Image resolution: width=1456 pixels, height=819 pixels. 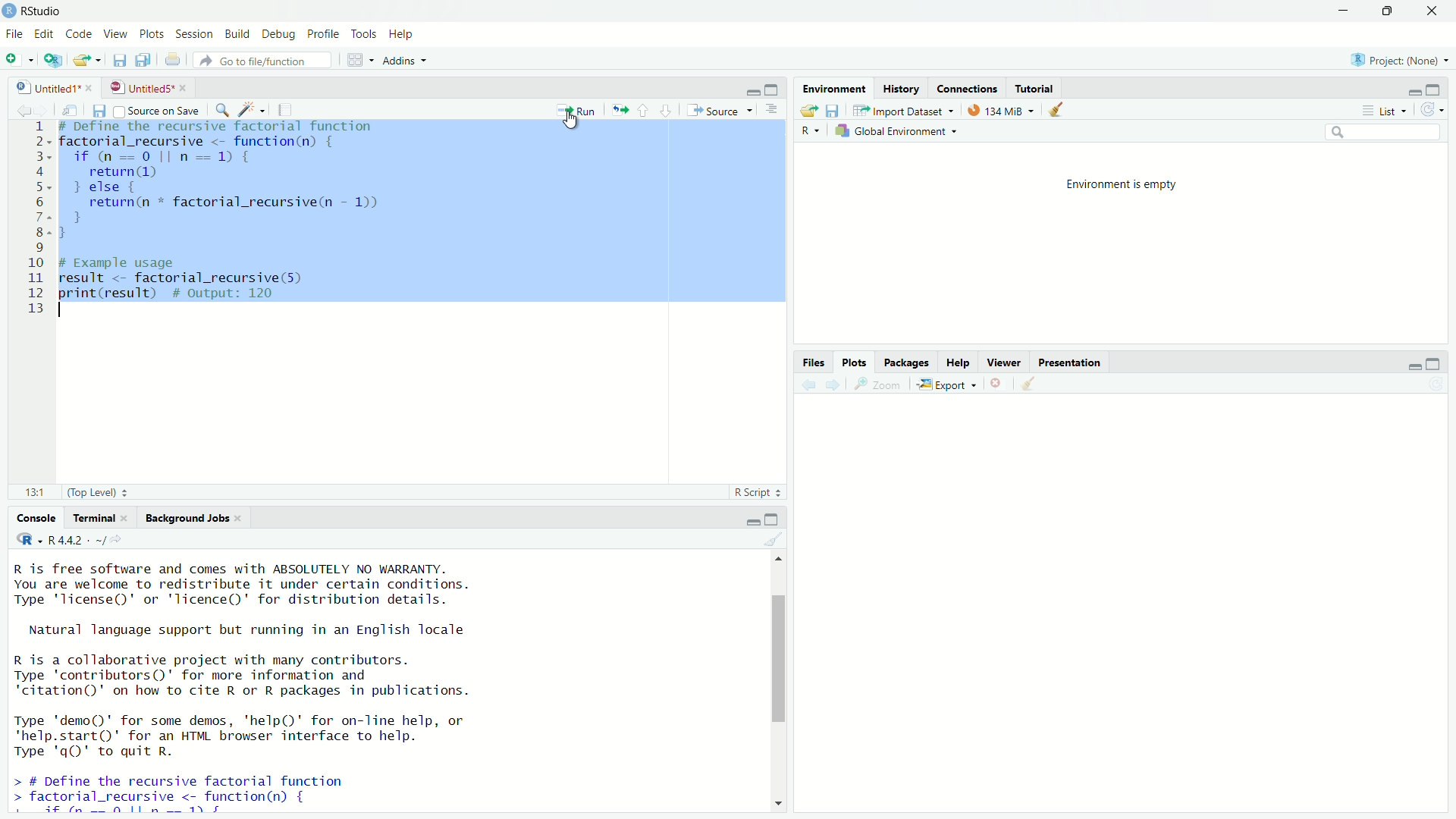 What do you see at coordinates (880, 383) in the screenshot?
I see `Zoom` at bounding box center [880, 383].